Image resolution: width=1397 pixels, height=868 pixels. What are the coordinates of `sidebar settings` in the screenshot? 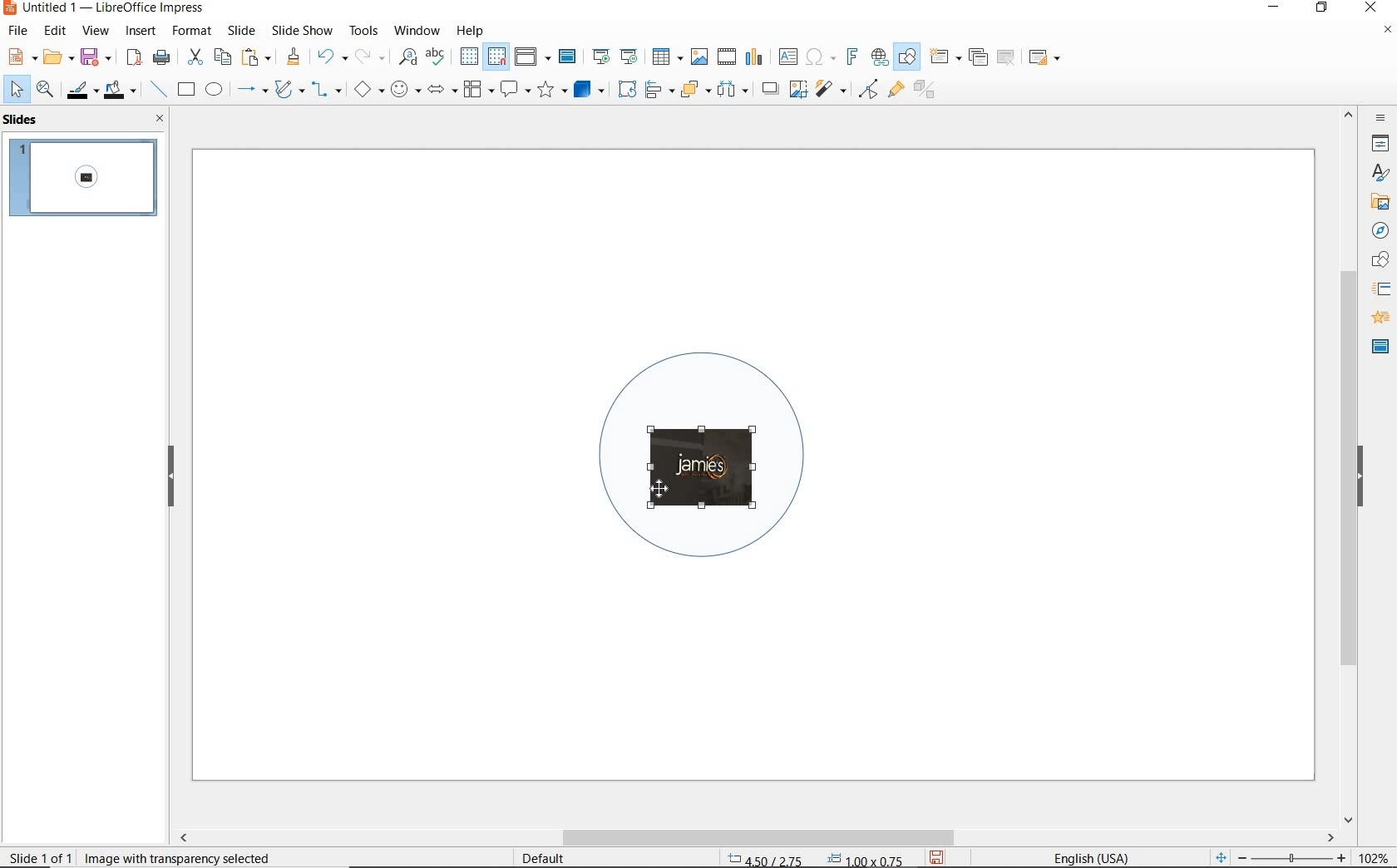 It's located at (1379, 118).